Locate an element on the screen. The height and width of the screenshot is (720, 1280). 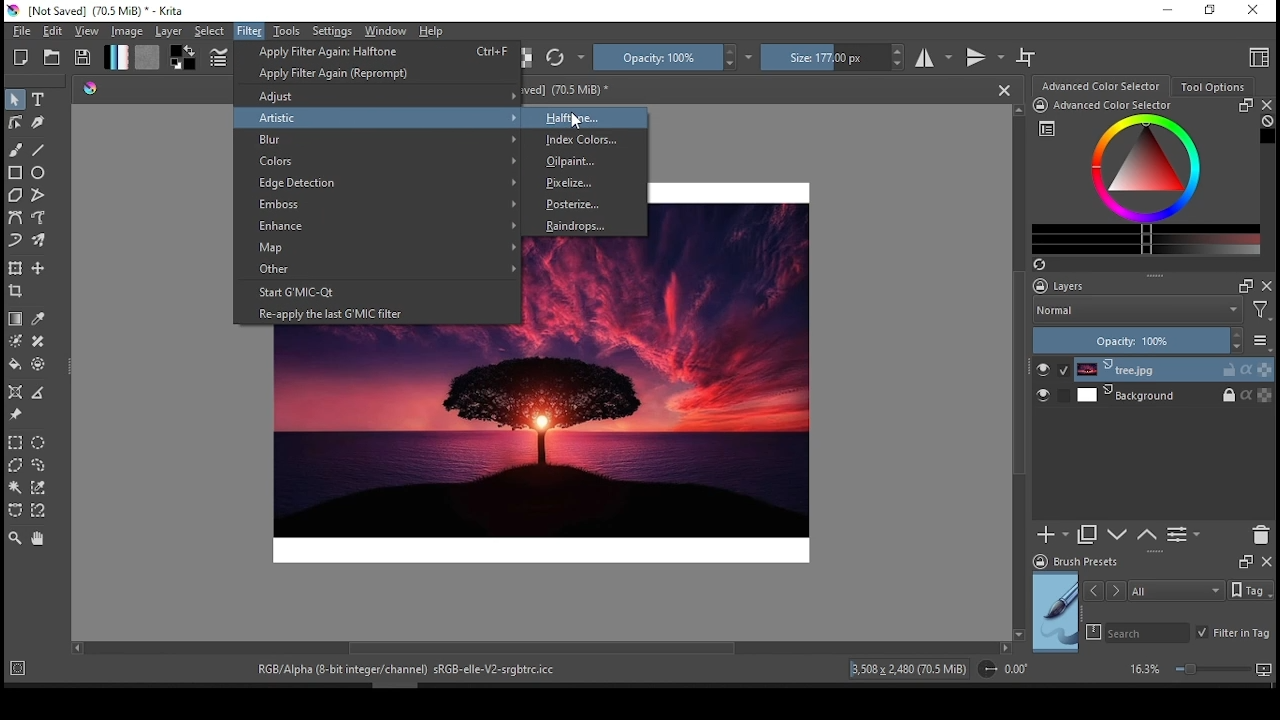
blend mode is located at coordinates (1154, 310).